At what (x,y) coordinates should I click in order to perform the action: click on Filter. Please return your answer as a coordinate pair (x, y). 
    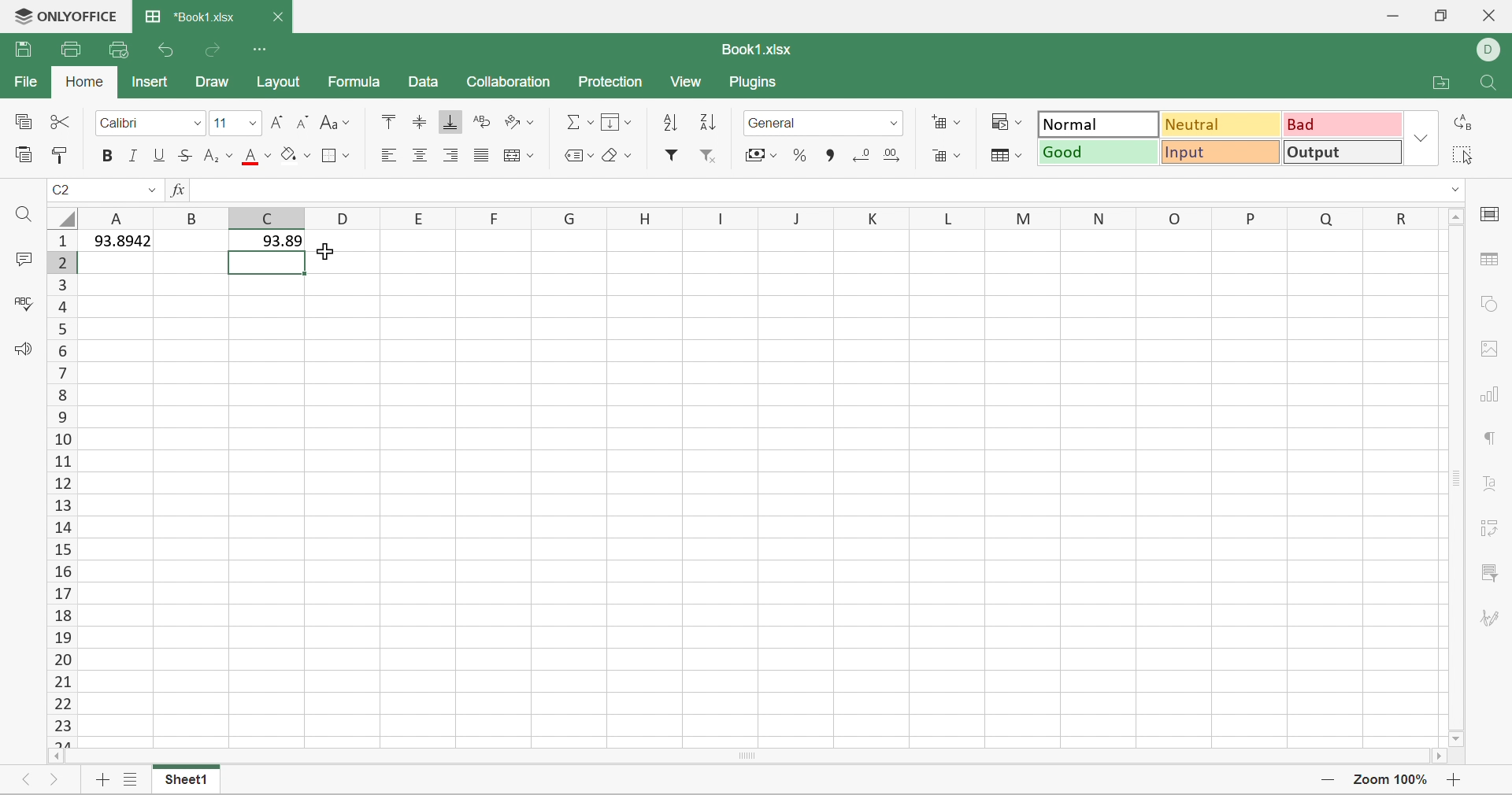
    Looking at the image, I should click on (676, 156).